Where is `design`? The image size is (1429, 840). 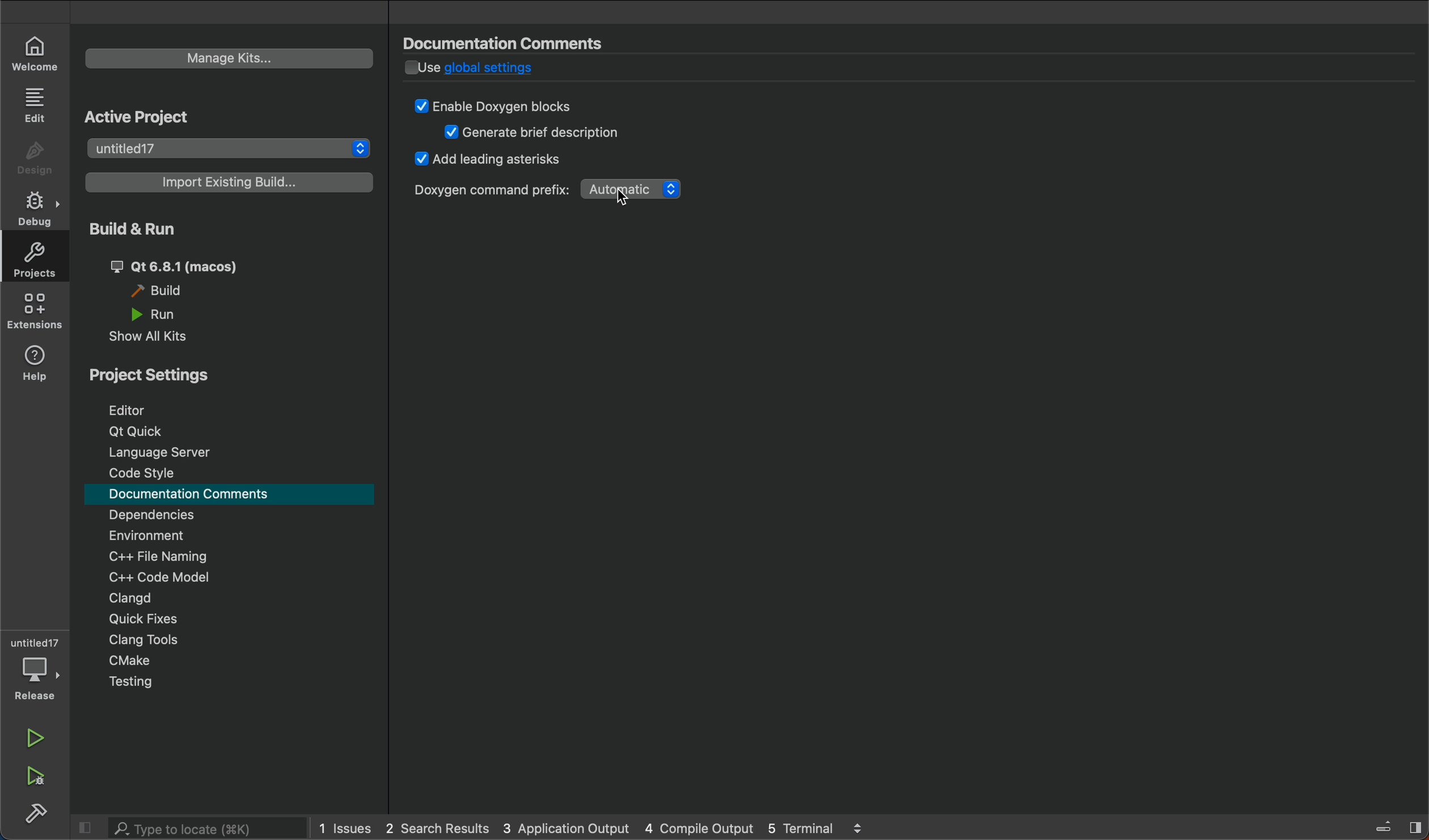 design is located at coordinates (33, 157).